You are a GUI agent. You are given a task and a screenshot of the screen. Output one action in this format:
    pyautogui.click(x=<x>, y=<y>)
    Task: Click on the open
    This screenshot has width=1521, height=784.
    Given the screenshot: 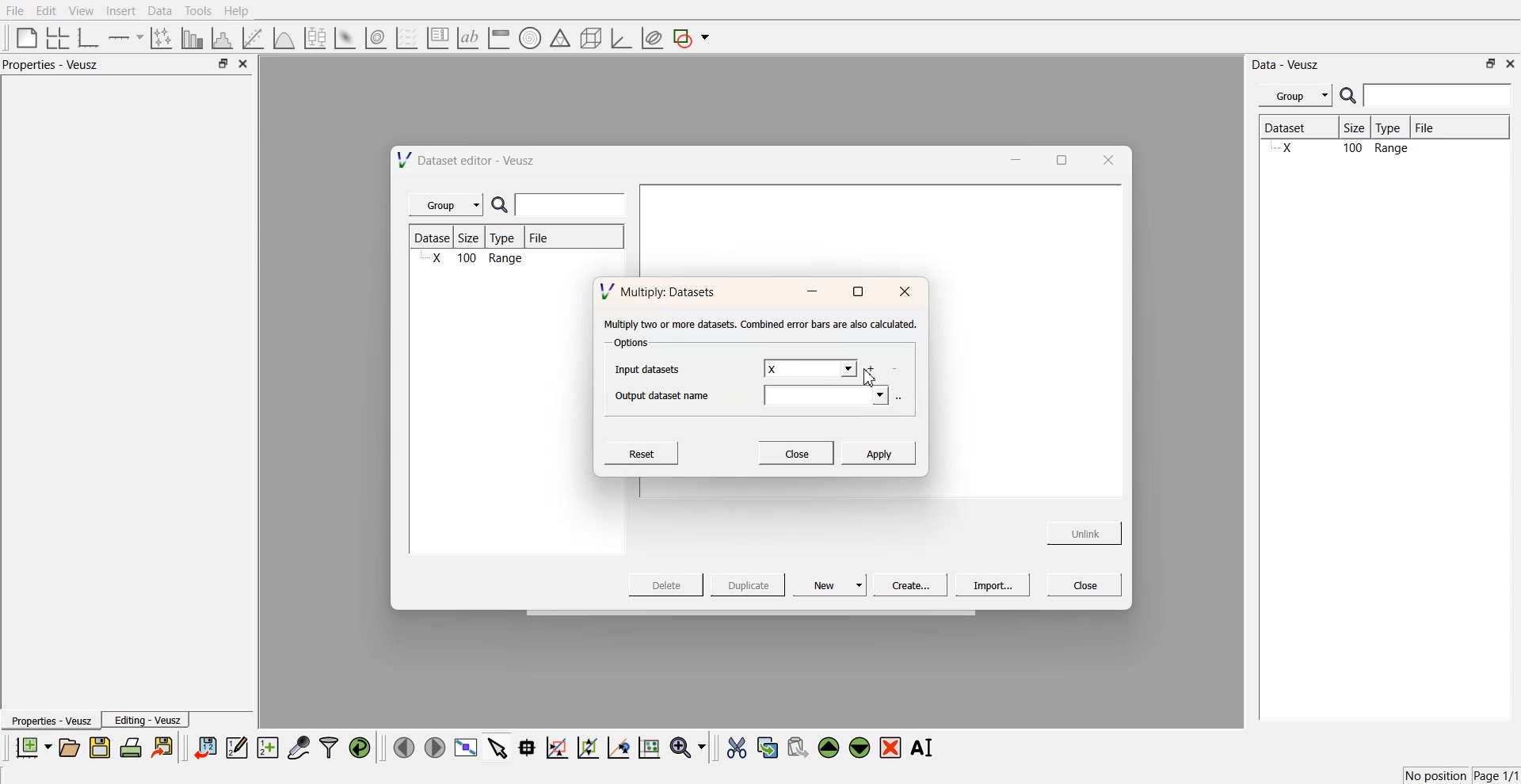 What is the action you would take?
    pyautogui.click(x=69, y=748)
    